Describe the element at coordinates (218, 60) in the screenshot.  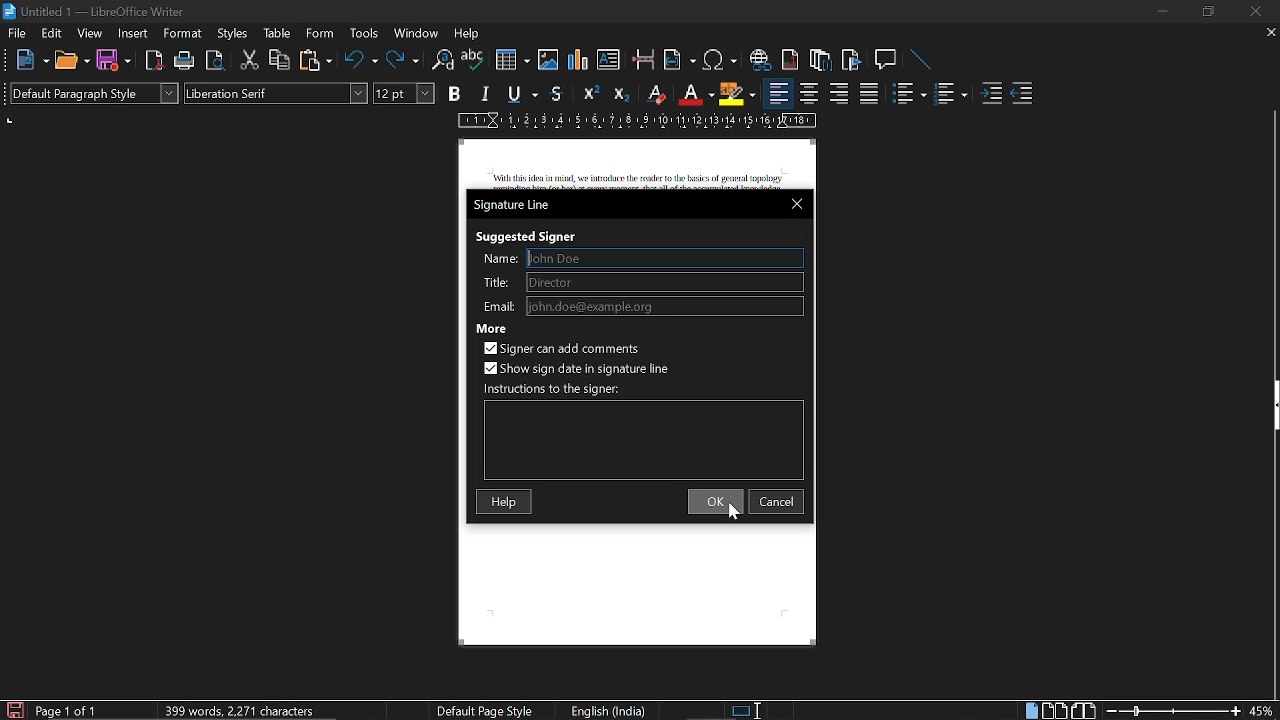
I see `toggle print preview` at that location.